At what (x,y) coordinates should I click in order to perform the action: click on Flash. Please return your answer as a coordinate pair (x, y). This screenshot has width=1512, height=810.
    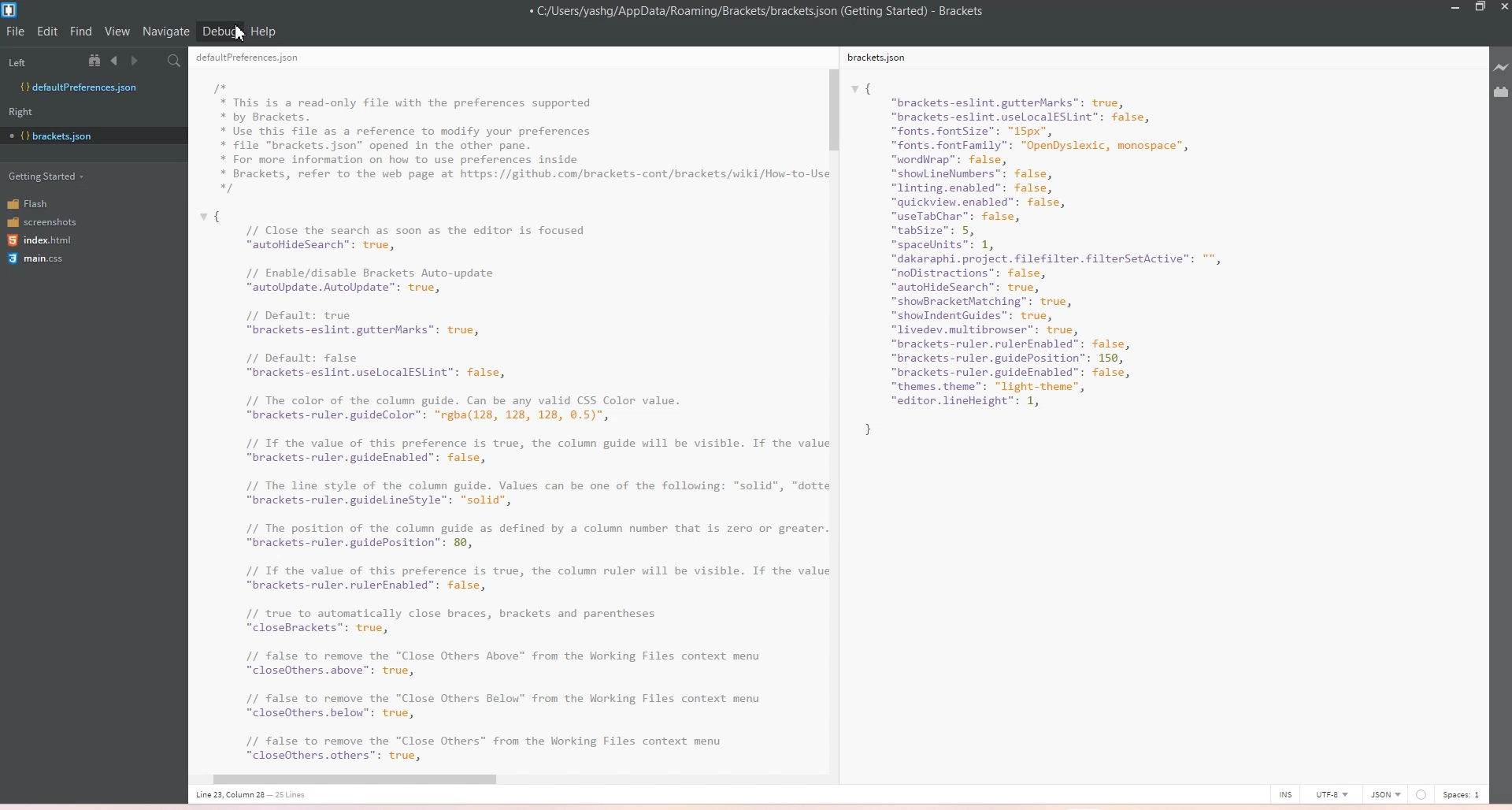
    Looking at the image, I should click on (39, 202).